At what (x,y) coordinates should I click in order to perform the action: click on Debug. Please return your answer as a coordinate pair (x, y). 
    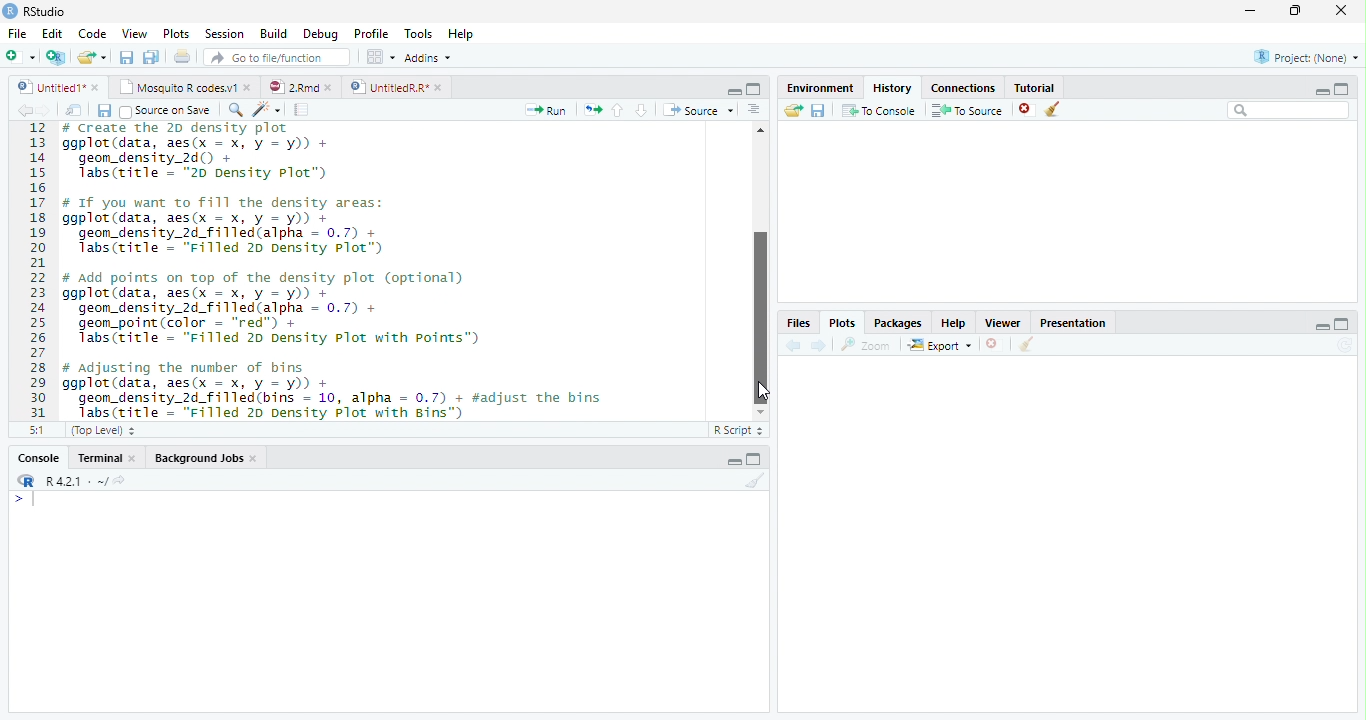
    Looking at the image, I should click on (321, 35).